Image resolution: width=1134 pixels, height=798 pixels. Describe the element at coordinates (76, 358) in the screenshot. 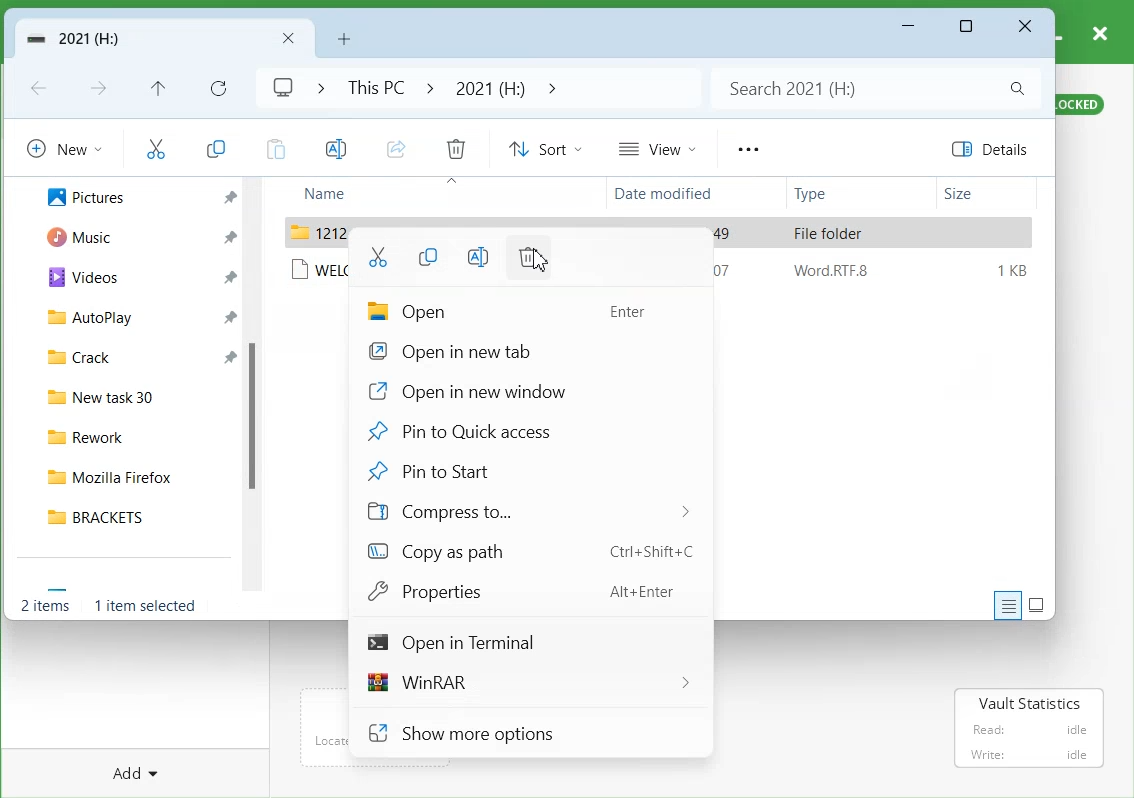

I see `Crack` at that location.